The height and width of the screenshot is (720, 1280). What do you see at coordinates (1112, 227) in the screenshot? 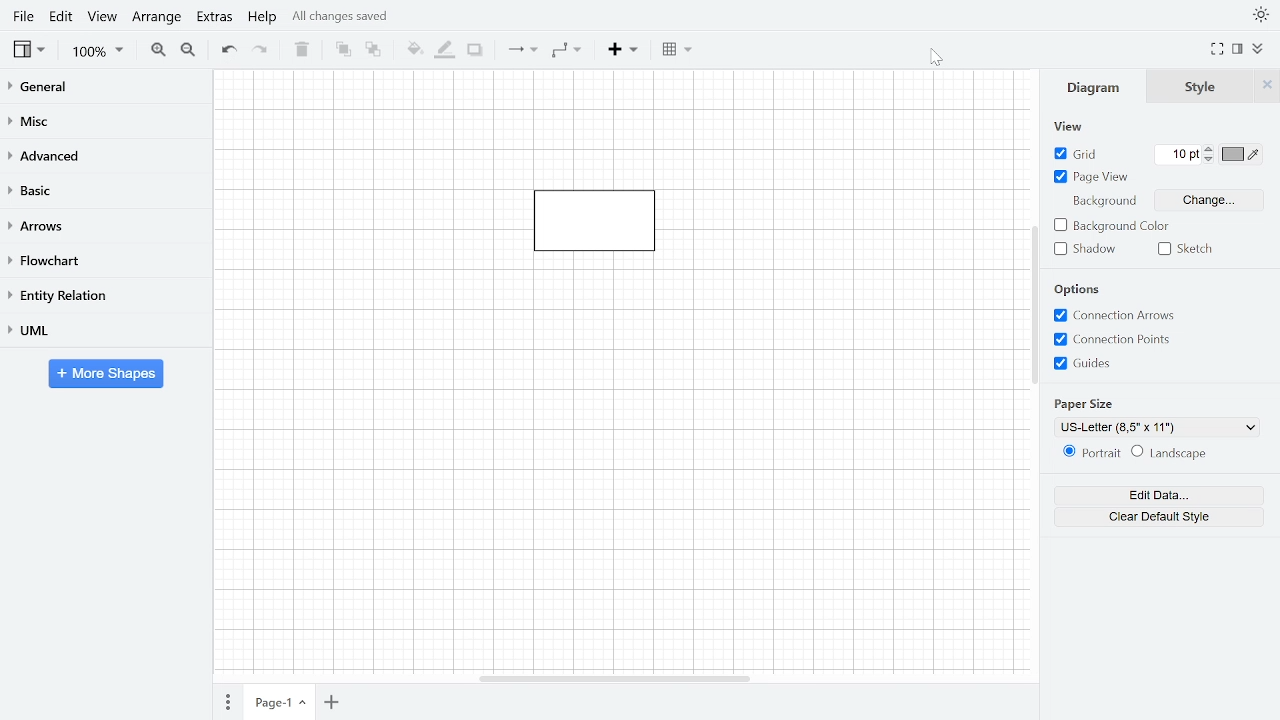
I see `Background color` at bounding box center [1112, 227].